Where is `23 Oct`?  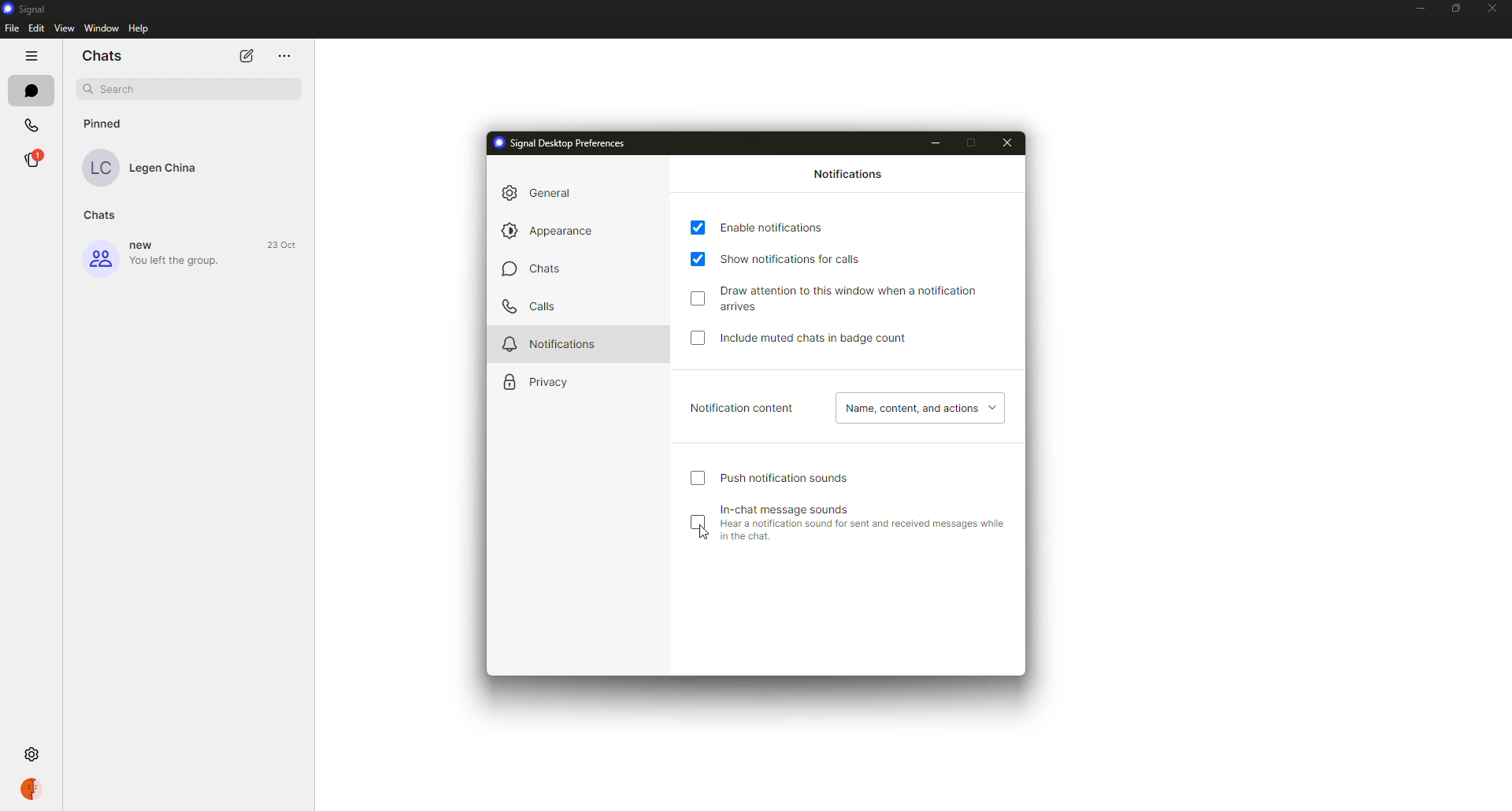
23 Oct is located at coordinates (280, 245).